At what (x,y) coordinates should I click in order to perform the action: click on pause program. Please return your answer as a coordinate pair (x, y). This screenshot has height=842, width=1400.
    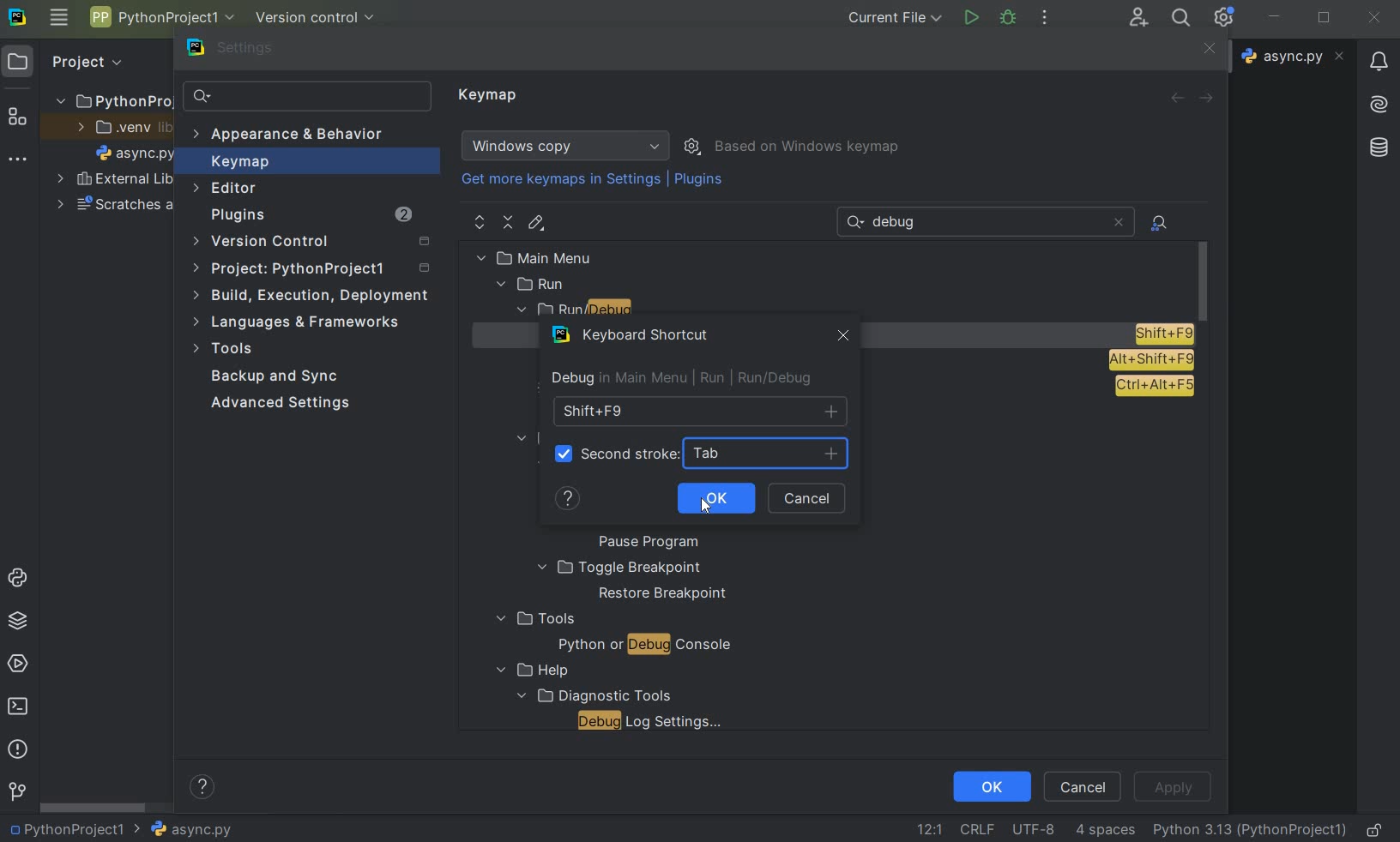
    Looking at the image, I should click on (643, 543).